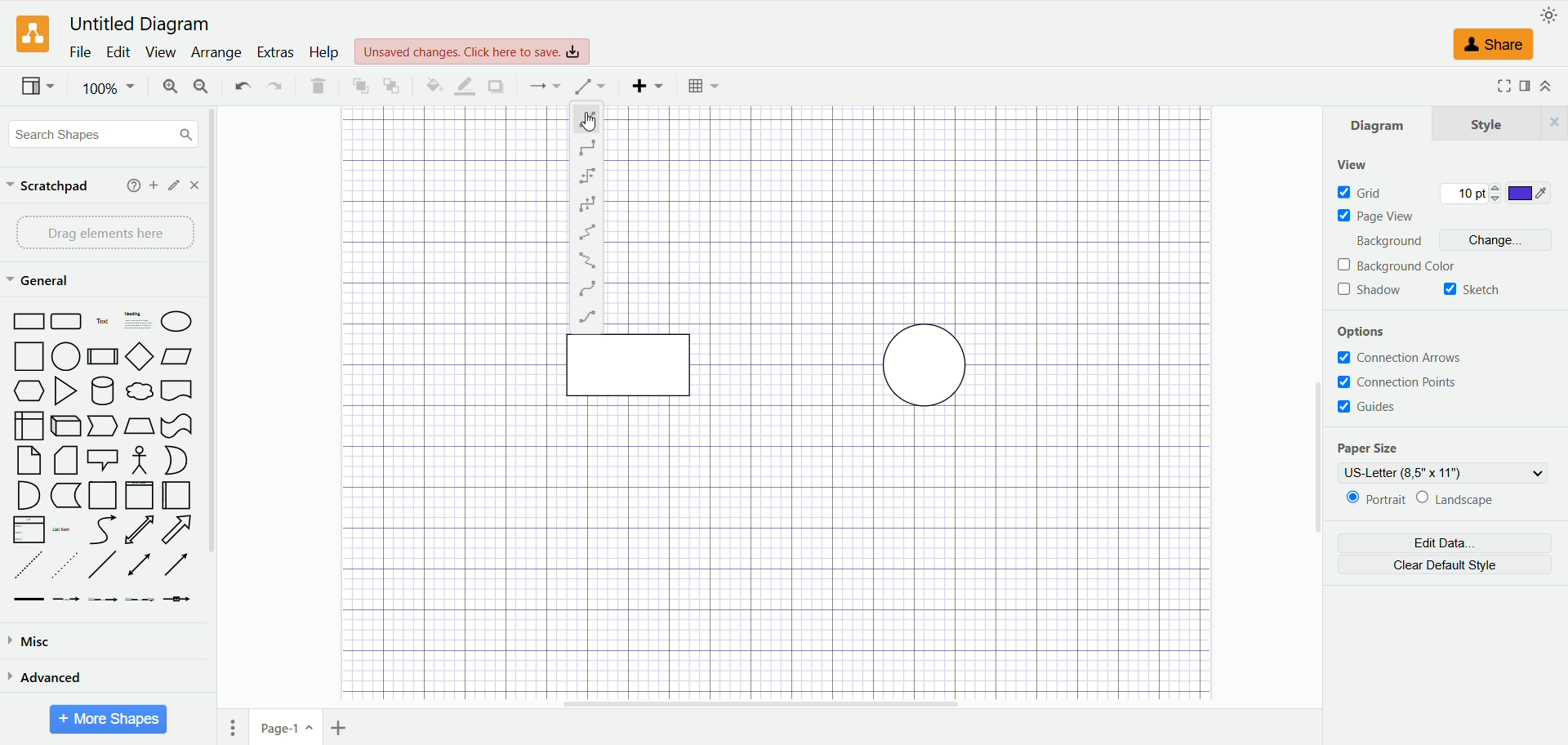  I want to click on Triangle, so click(68, 391).